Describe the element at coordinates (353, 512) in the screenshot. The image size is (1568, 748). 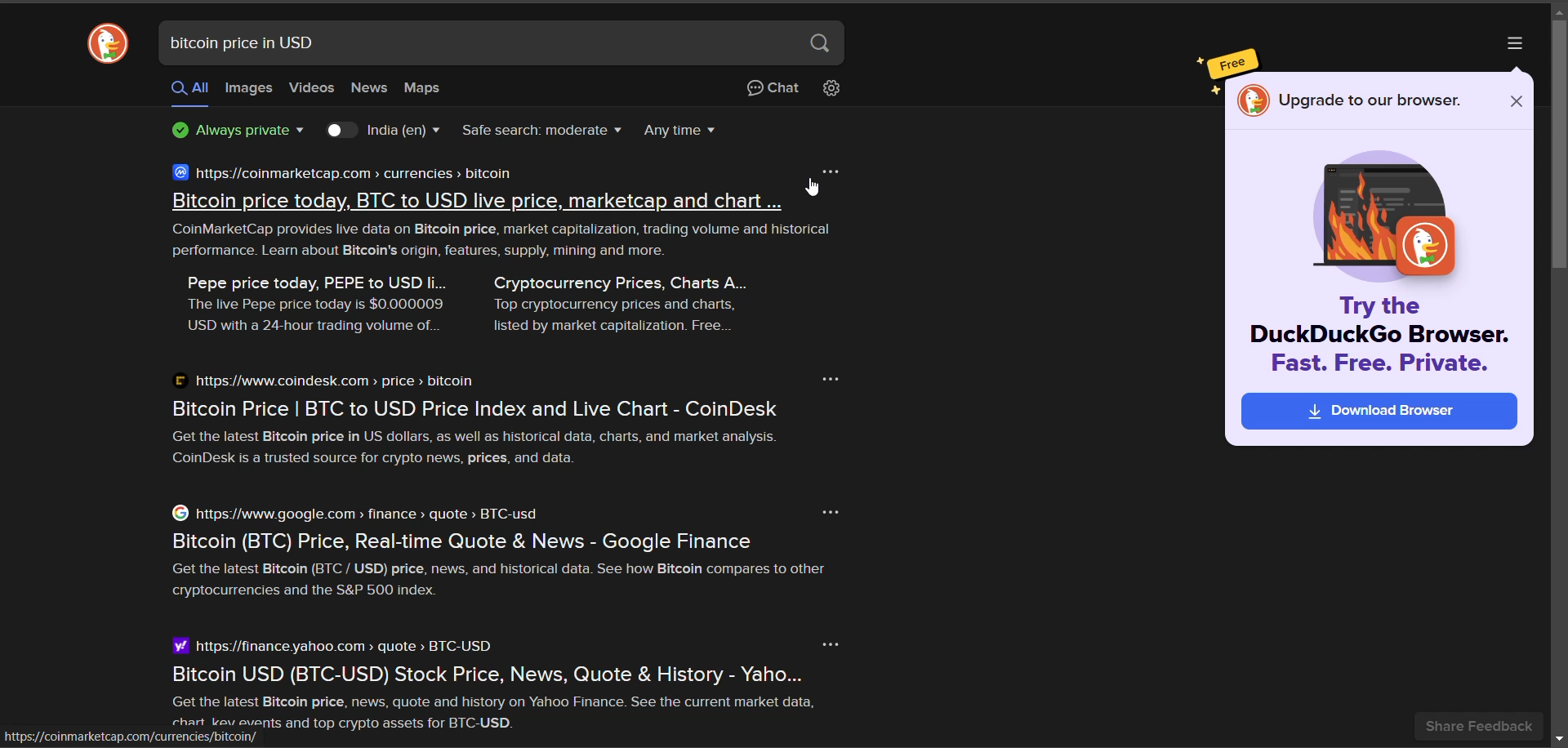
I see `https//www.google.com > finance > quote » BTC-usd` at that location.